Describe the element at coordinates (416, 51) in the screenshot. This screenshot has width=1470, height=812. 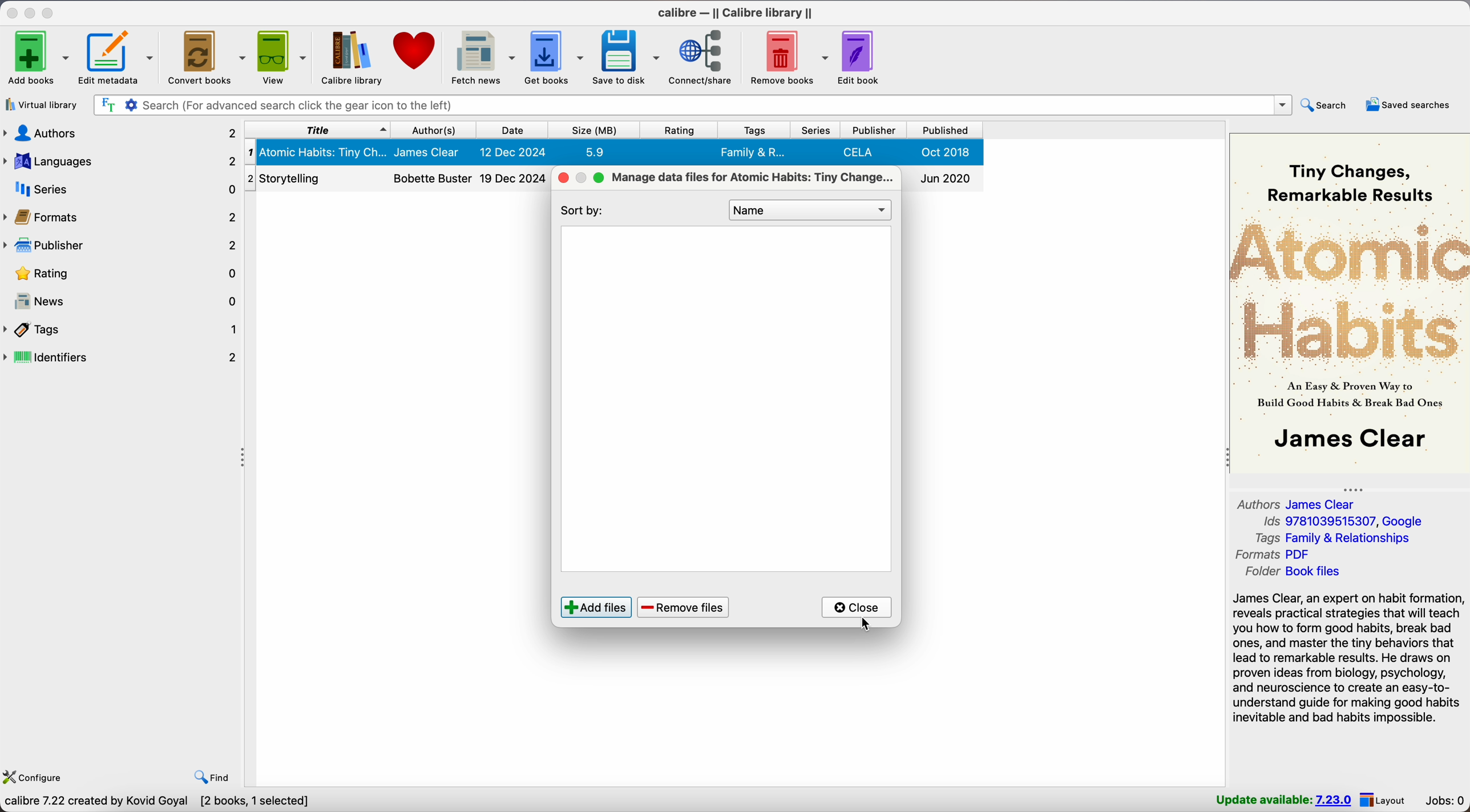
I see `donate` at that location.